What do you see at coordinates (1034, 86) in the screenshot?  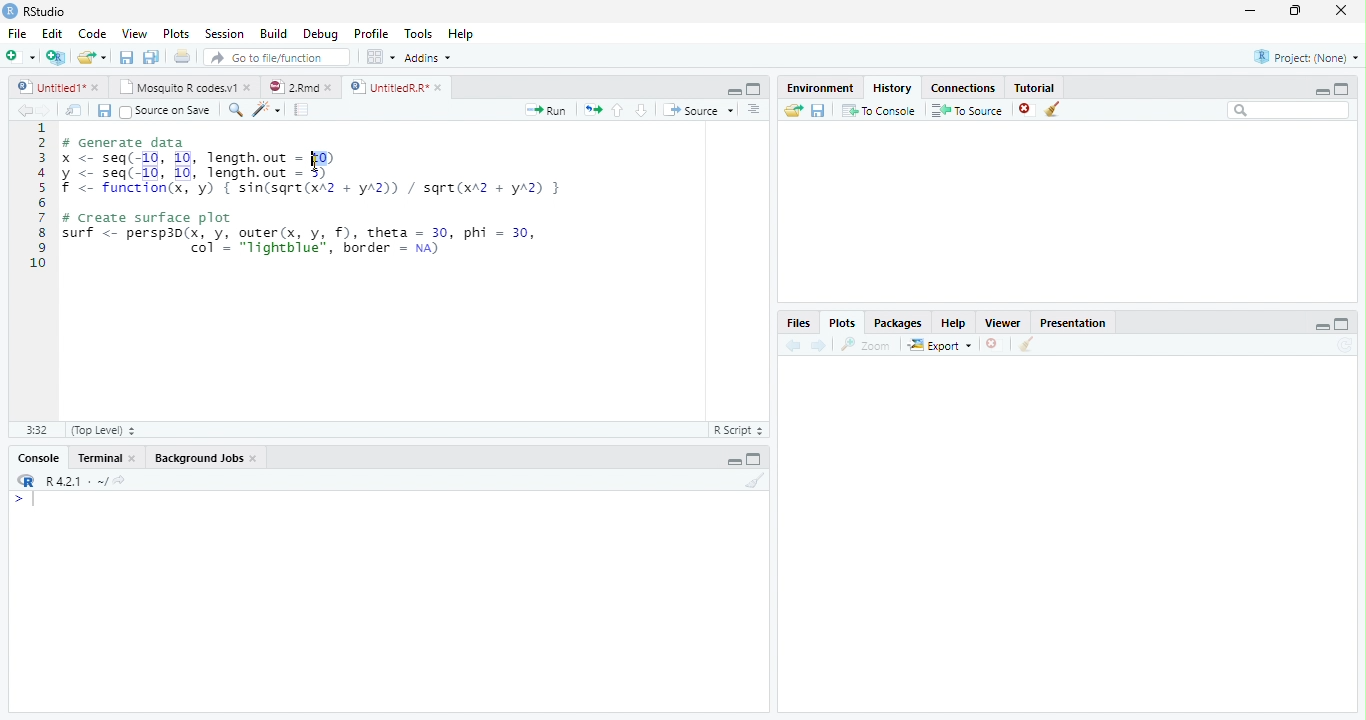 I see `Tutorial` at bounding box center [1034, 86].